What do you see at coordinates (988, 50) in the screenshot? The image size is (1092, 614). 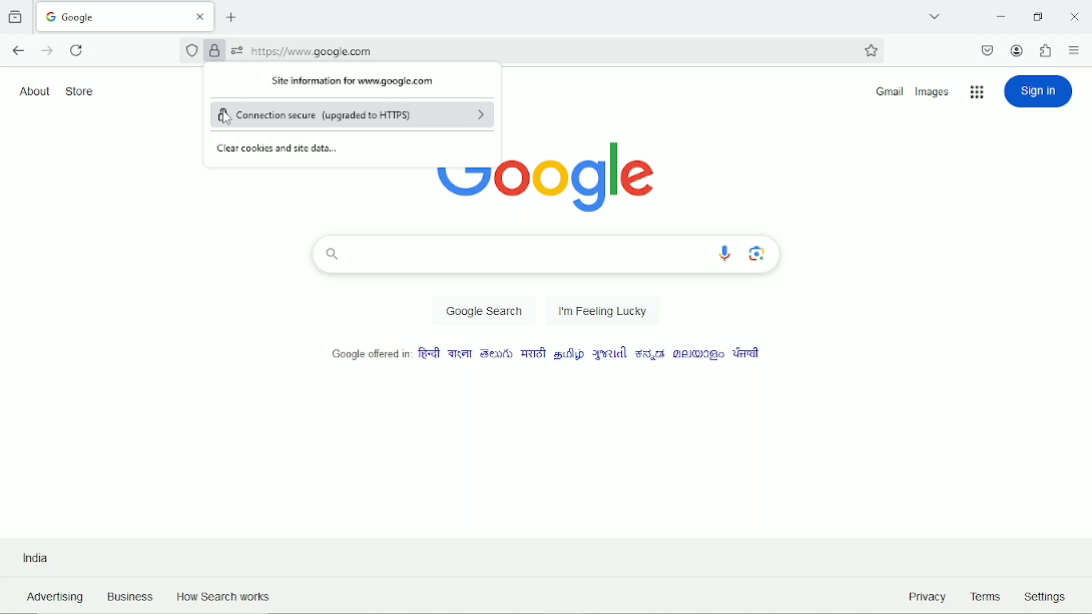 I see `save to pocket` at bounding box center [988, 50].